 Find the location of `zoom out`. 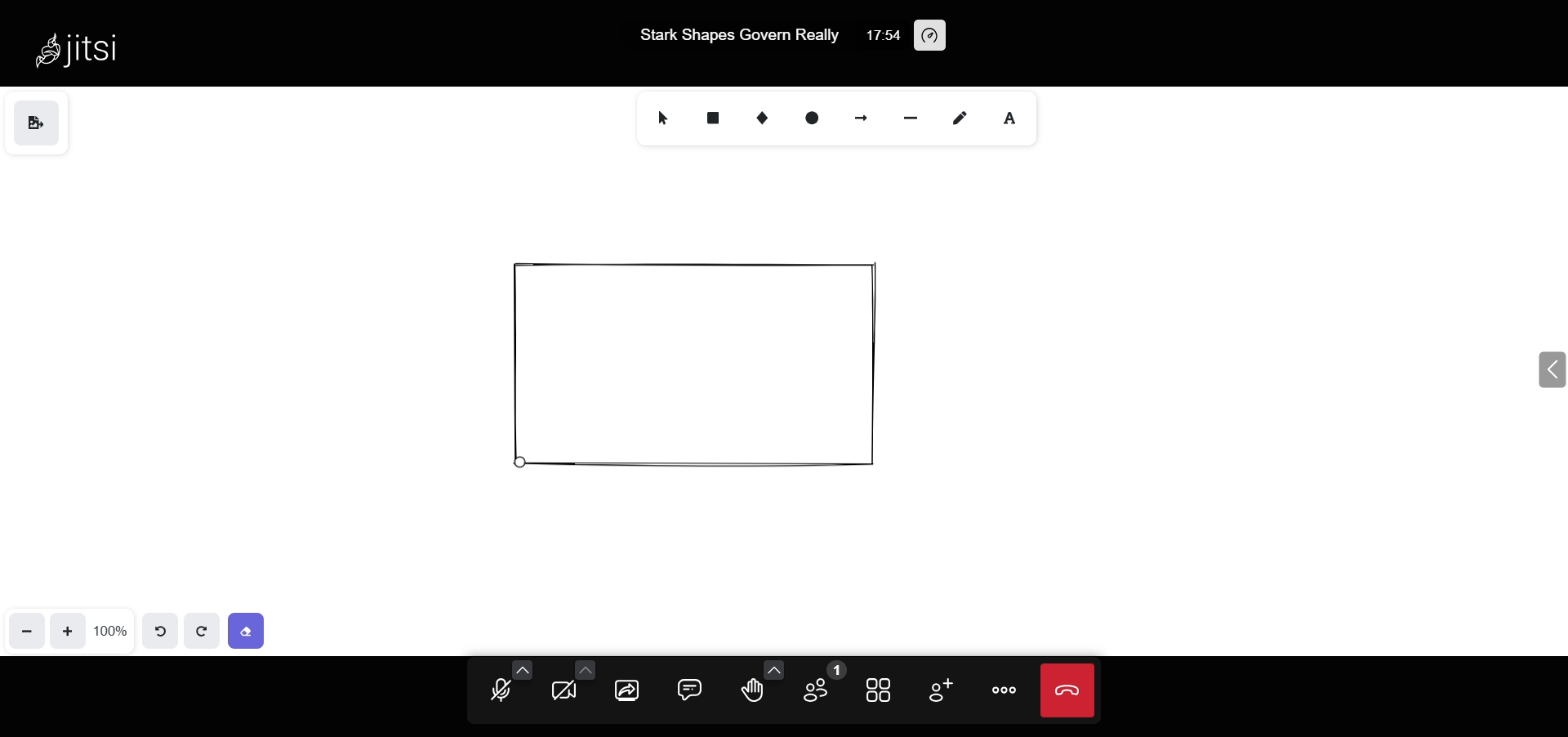

zoom out is located at coordinates (26, 630).